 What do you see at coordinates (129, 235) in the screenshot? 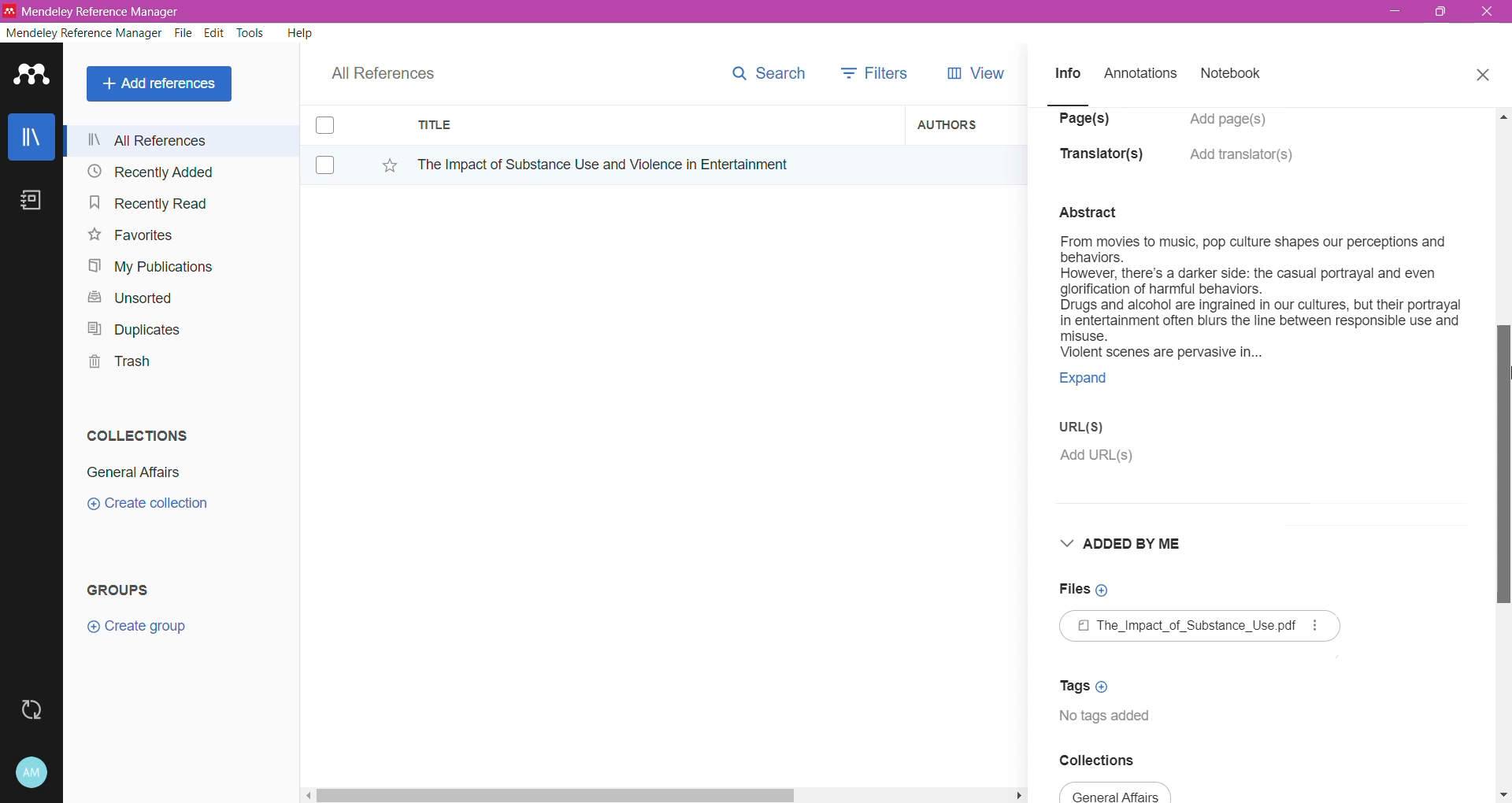
I see `Favorites` at bounding box center [129, 235].